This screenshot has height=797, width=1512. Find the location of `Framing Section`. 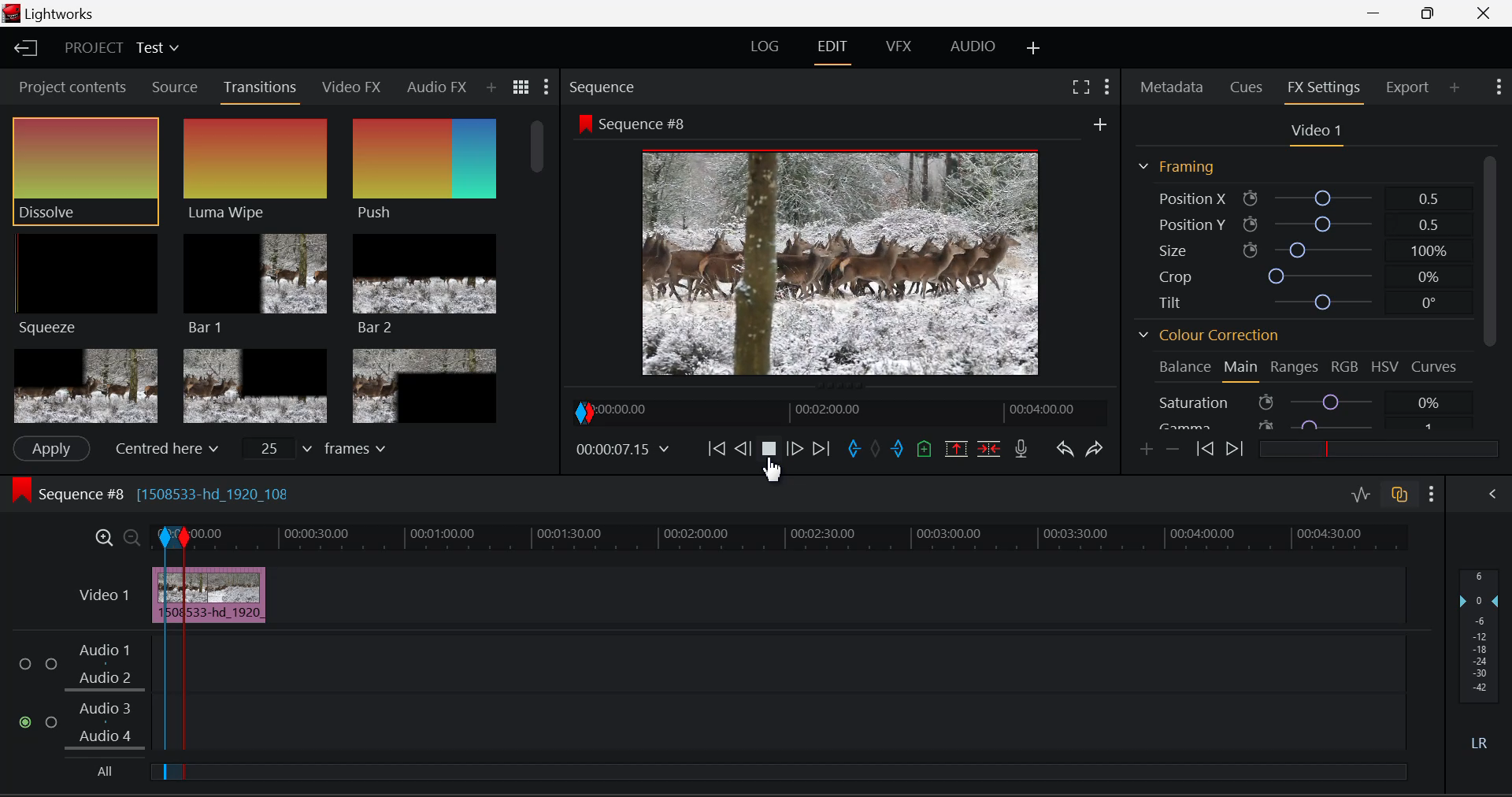

Framing Section is located at coordinates (1185, 167).